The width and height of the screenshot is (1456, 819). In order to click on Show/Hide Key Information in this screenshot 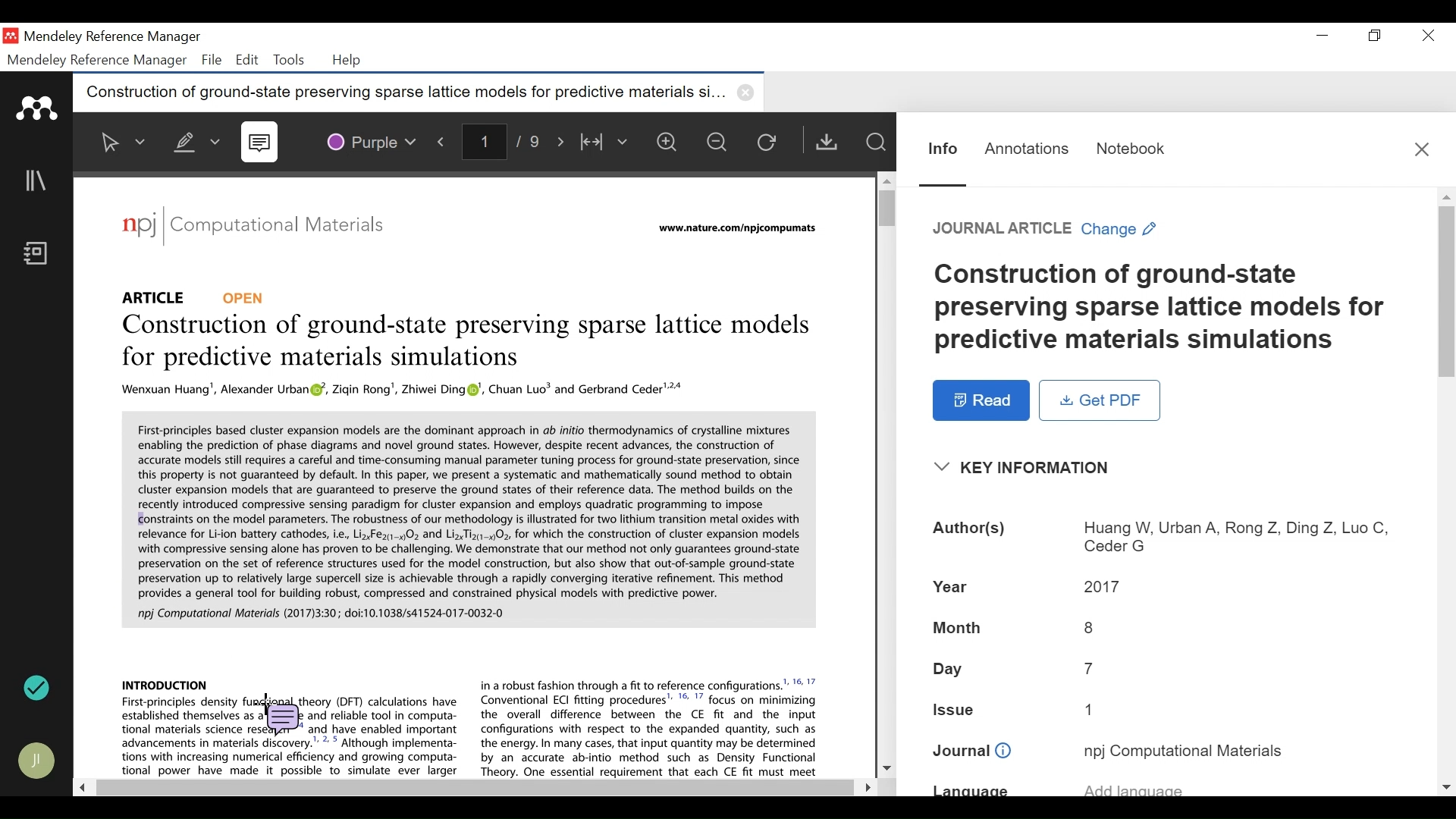, I will do `click(1028, 468)`.